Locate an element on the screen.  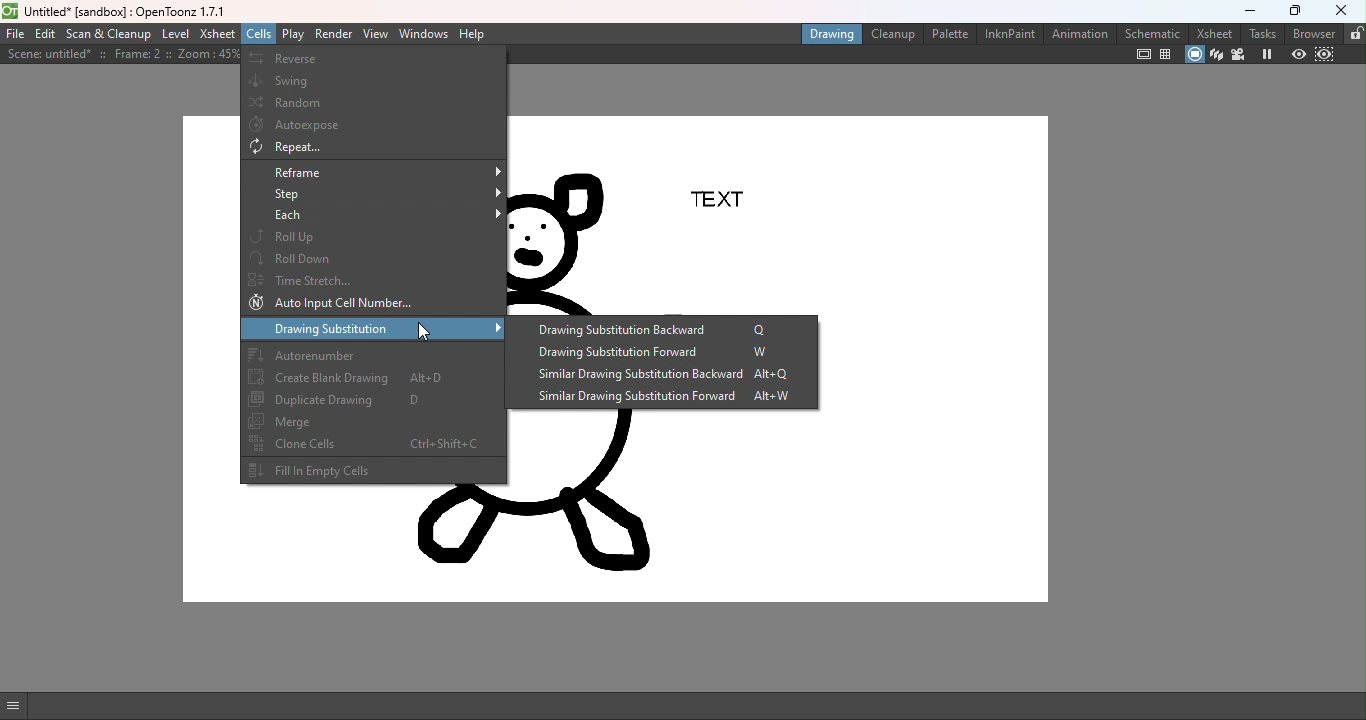
Swing is located at coordinates (375, 84).